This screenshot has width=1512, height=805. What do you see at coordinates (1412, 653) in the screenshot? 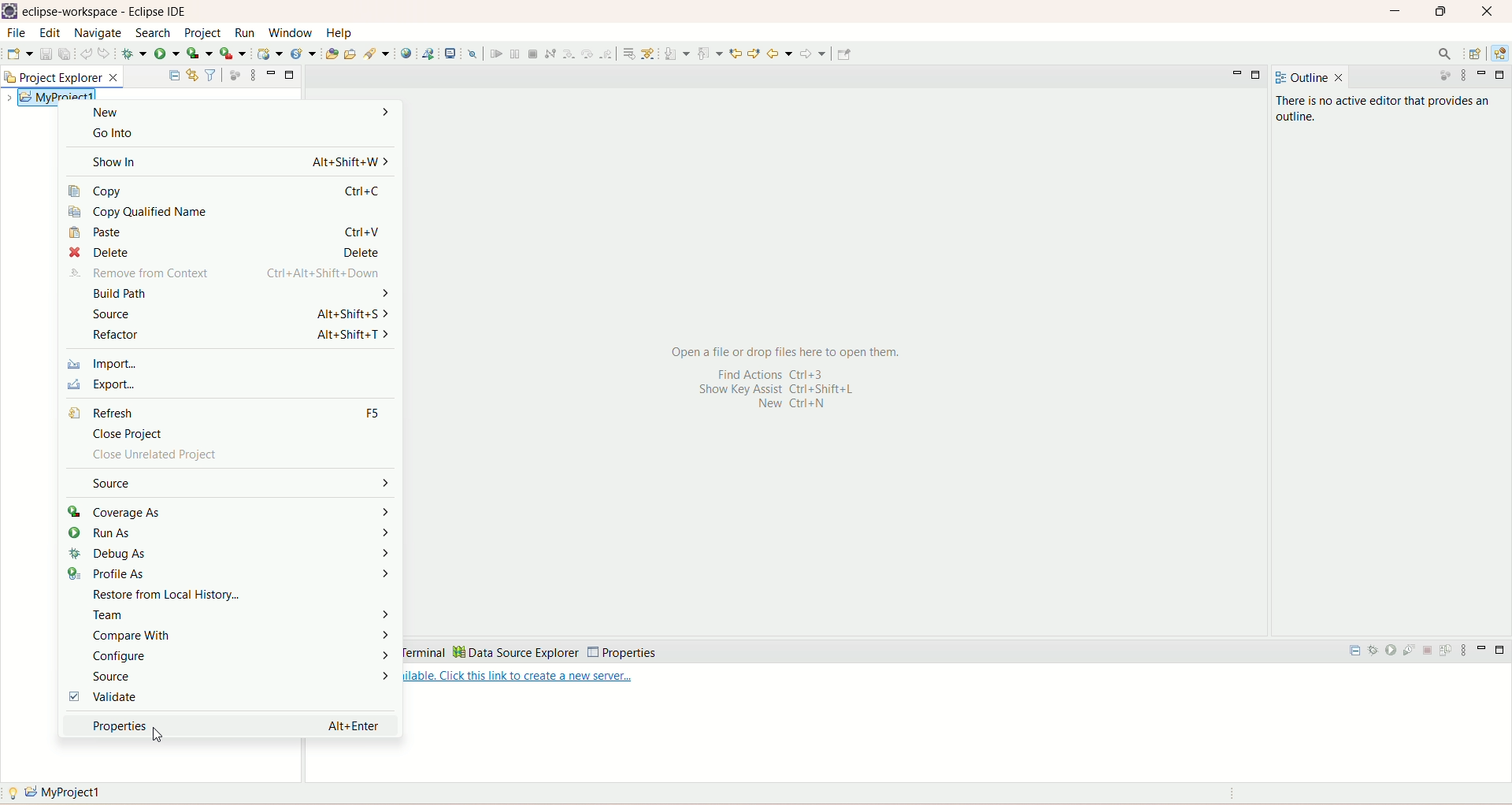
I see `start the server in profiling mode` at bounding box center [1412, 653].